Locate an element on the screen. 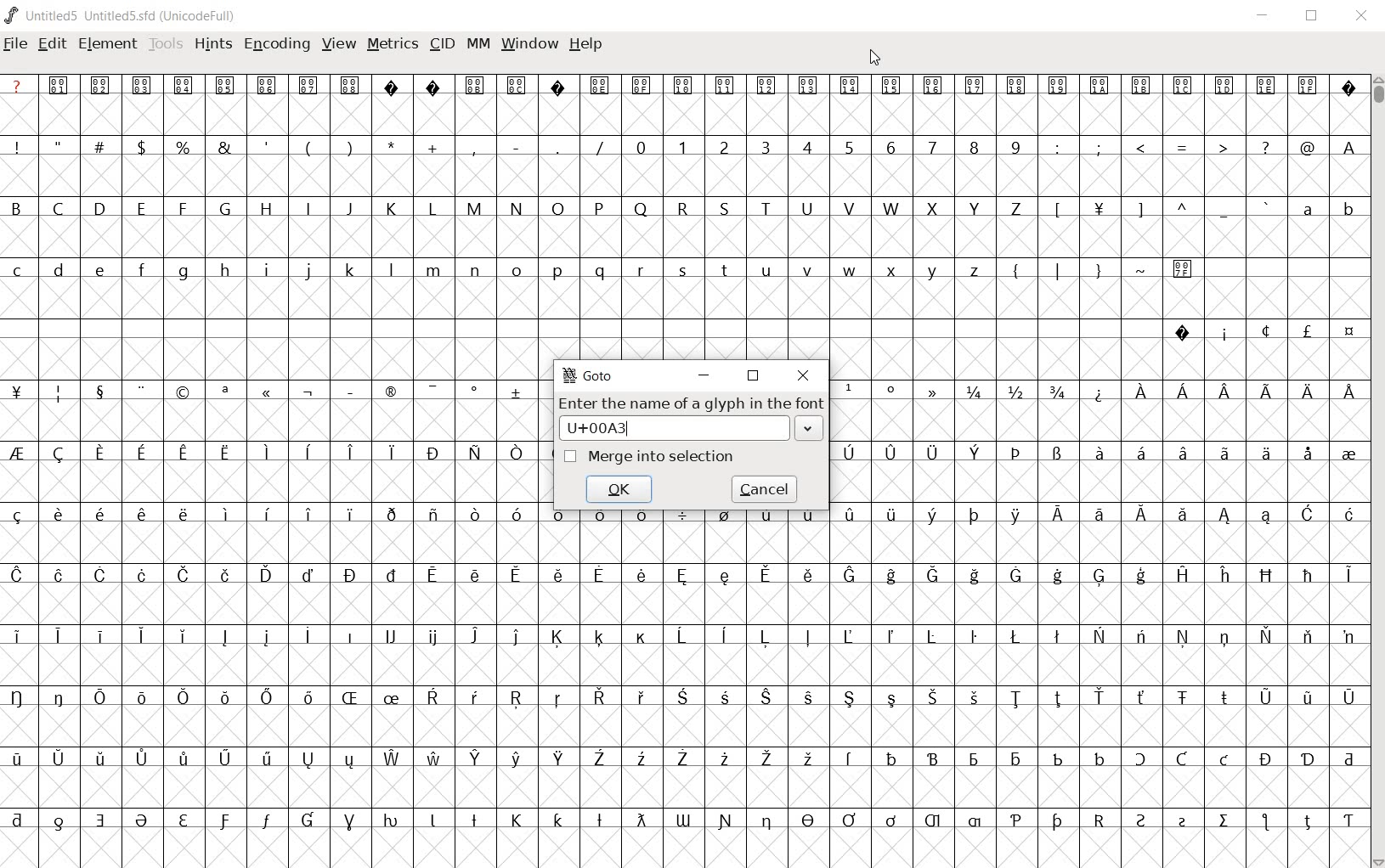 The image size is (1385, 868). Symbol is located at coordinates (1058, 638).